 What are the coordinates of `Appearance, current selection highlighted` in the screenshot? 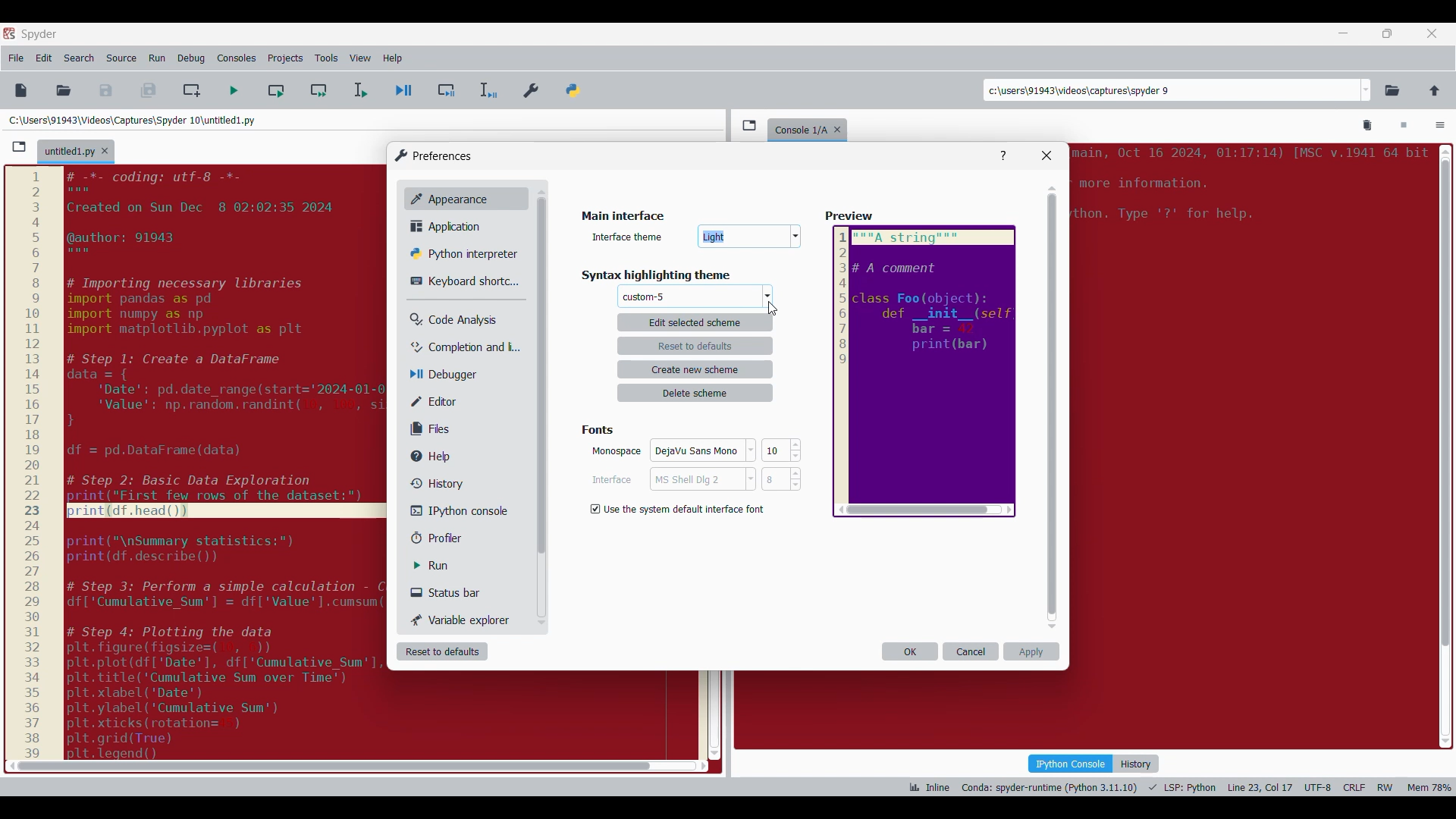 It's located at (446, 197).